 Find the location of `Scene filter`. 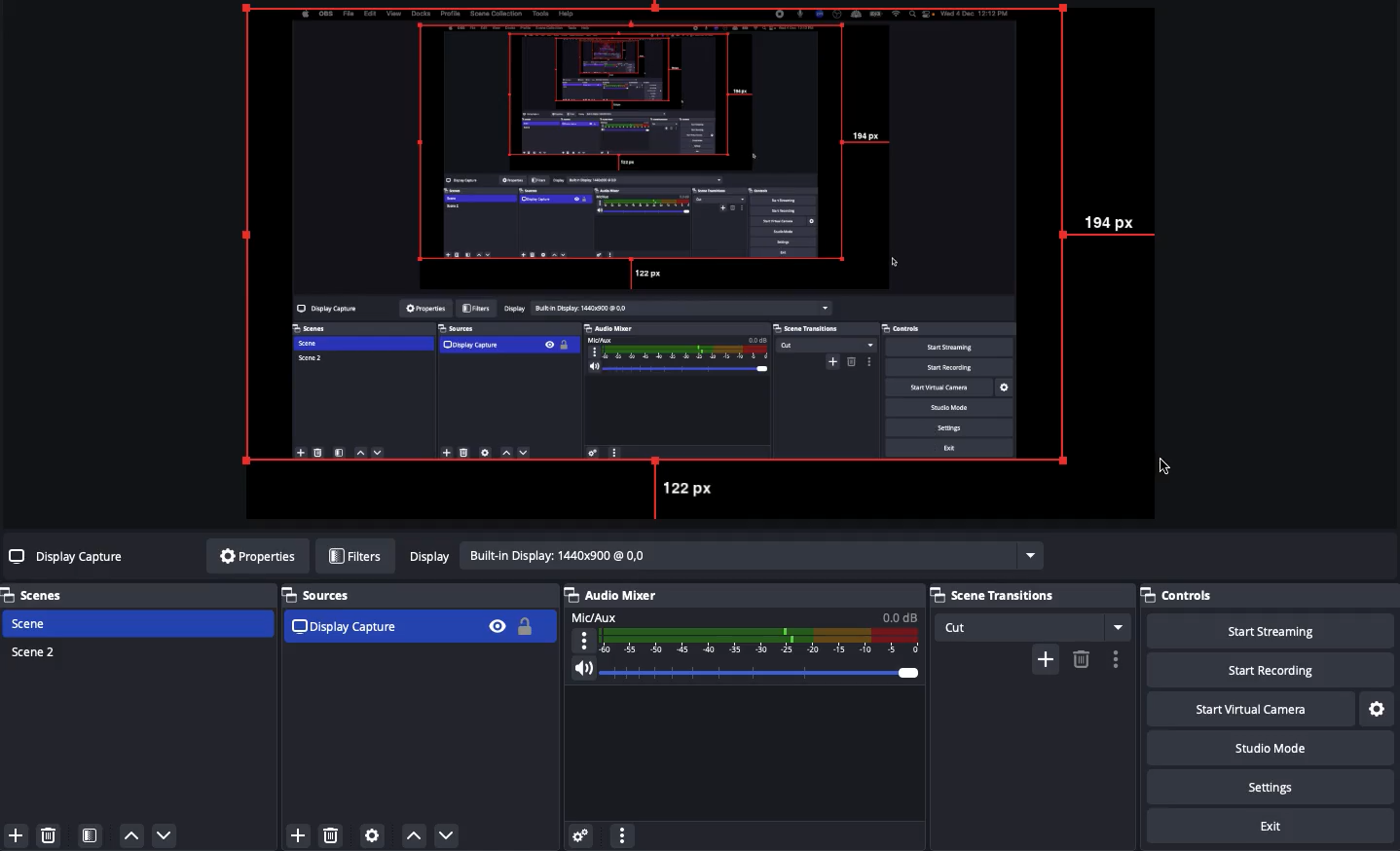

Scene filter is located at coordinates (91, 836).